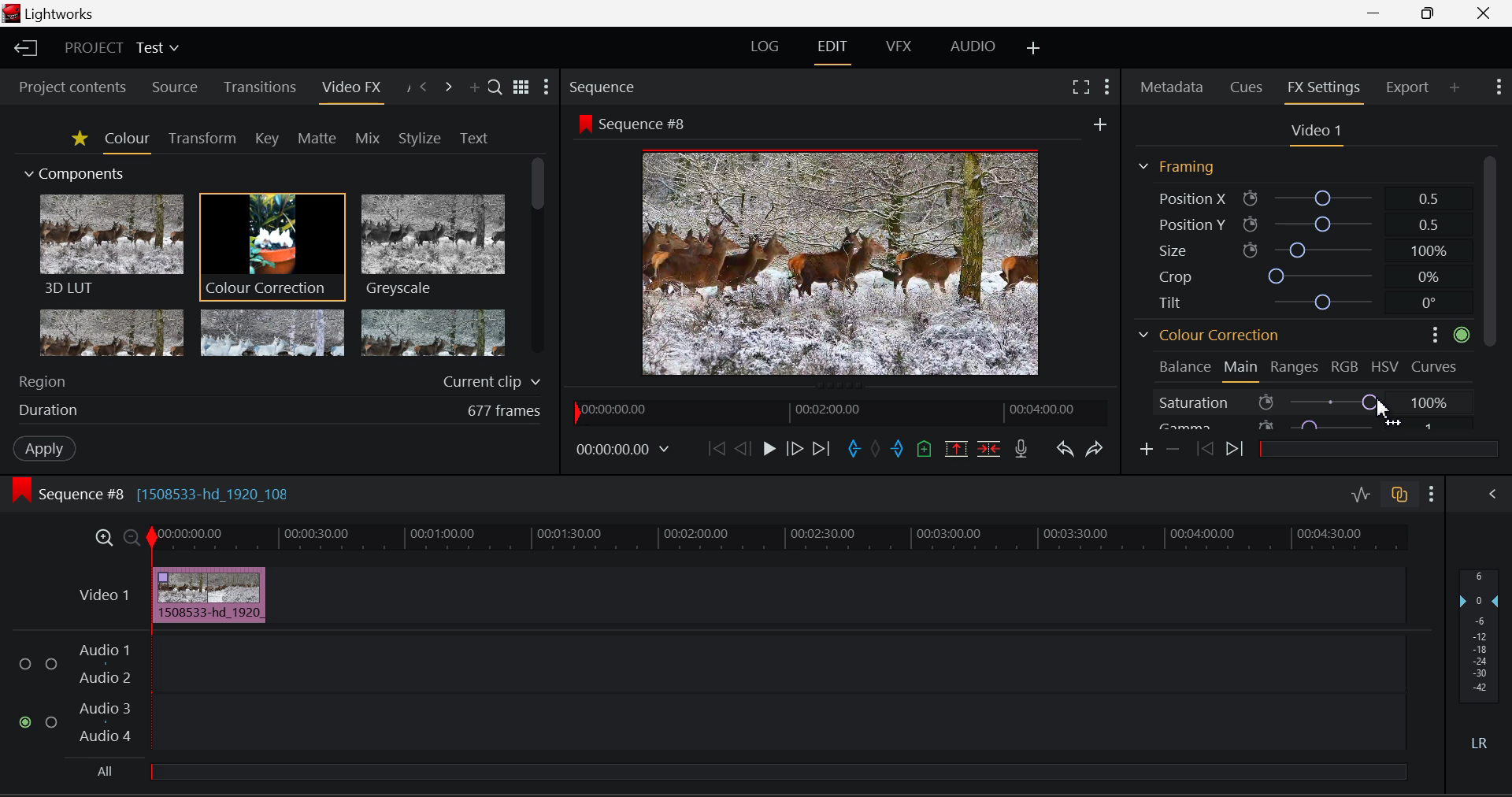 The height and width of the screenshot is (797, 1512). I want to click on Export, so click(1408, 87).